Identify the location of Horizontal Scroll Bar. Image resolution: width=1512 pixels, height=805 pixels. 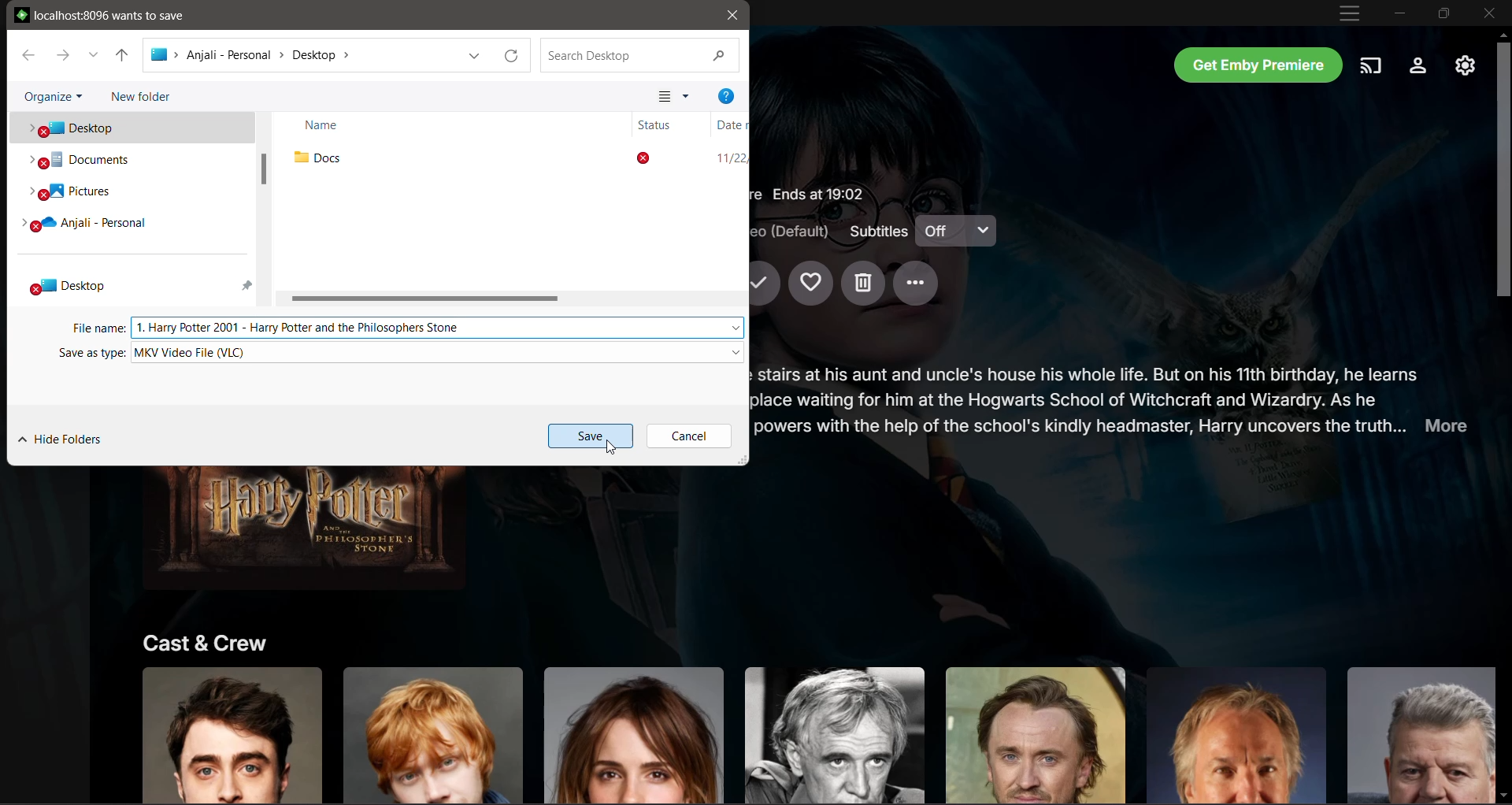
(503, 299).